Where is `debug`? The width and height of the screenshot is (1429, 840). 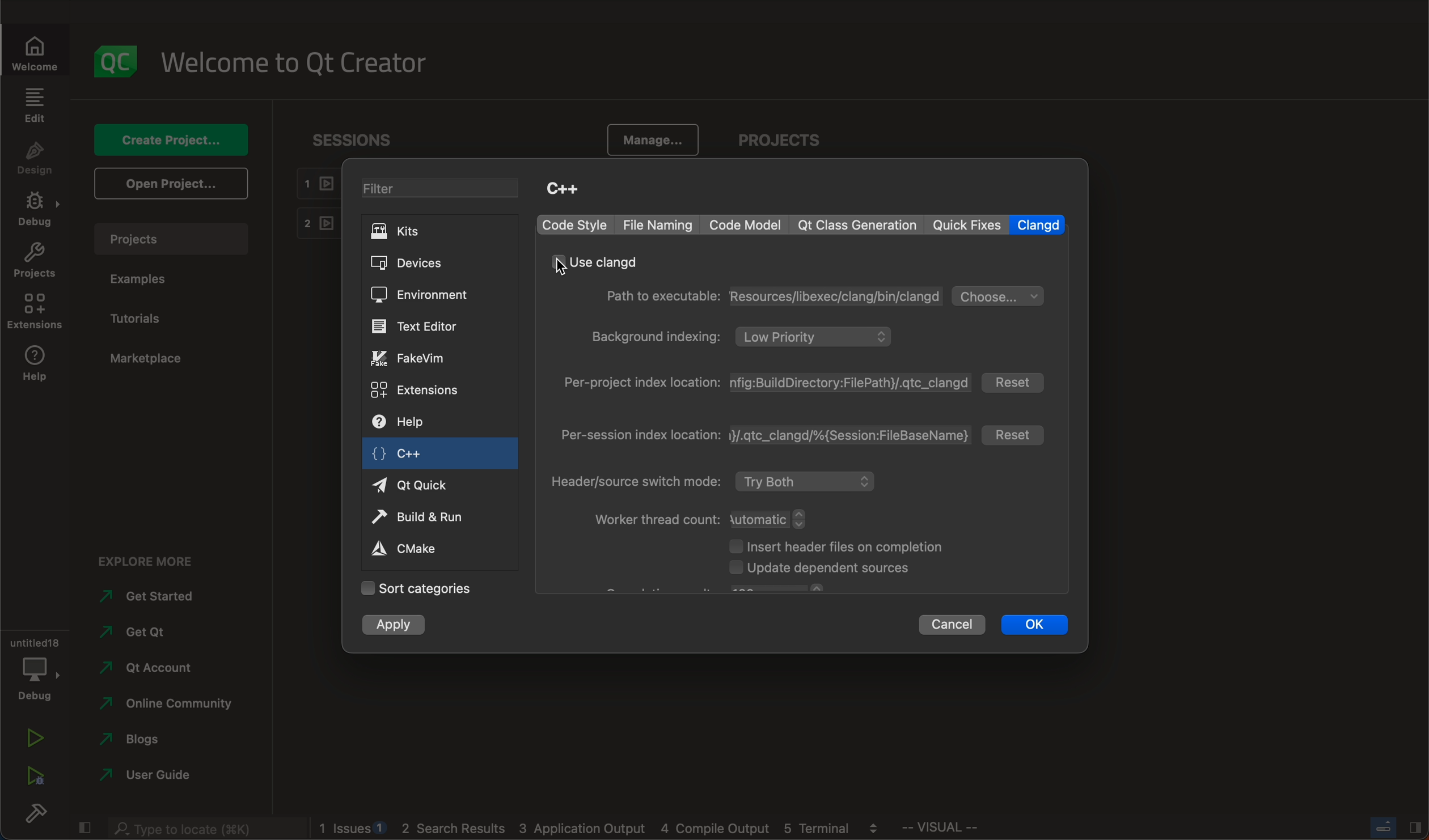
debug is located at coordinates (37, 672).